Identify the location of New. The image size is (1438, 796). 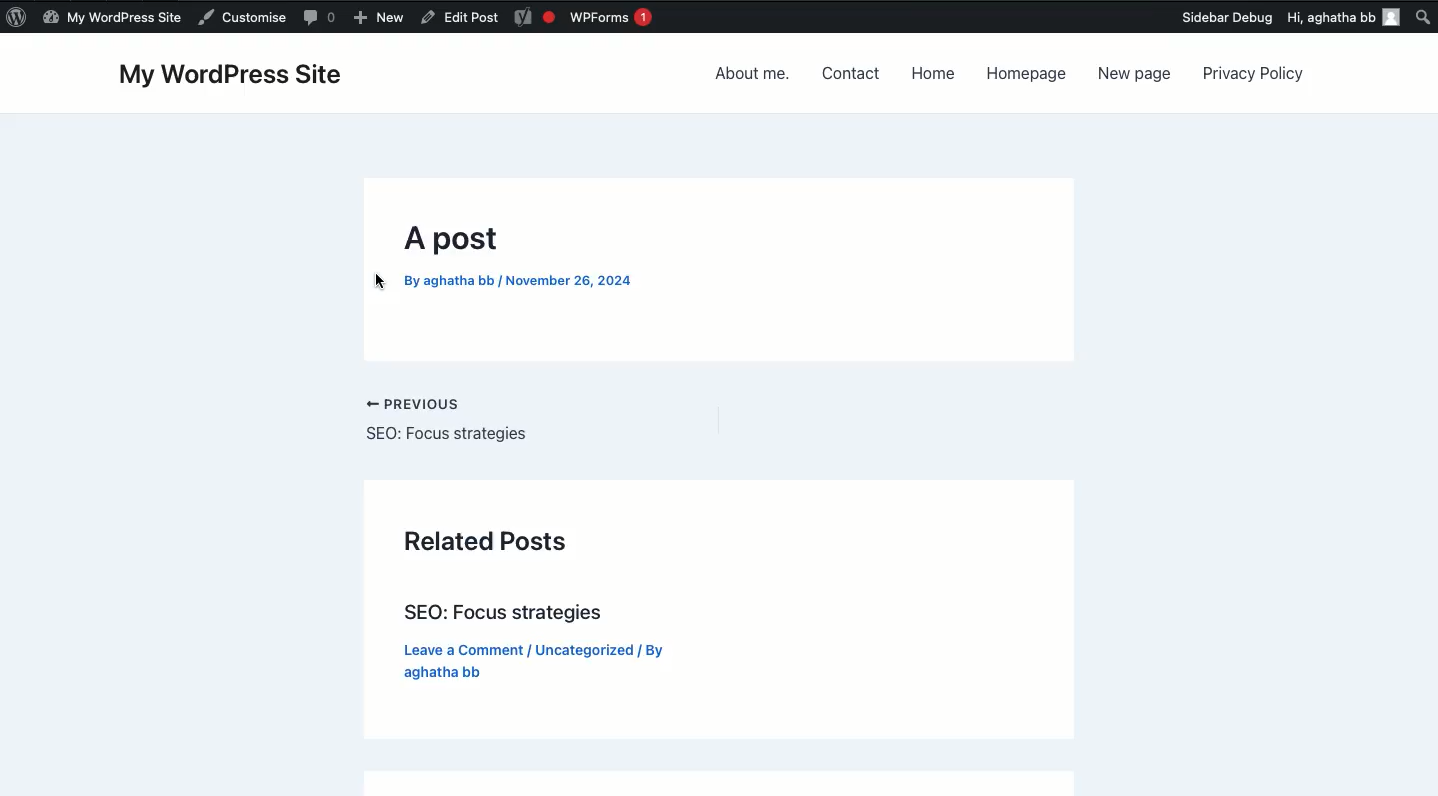
(321, 18).